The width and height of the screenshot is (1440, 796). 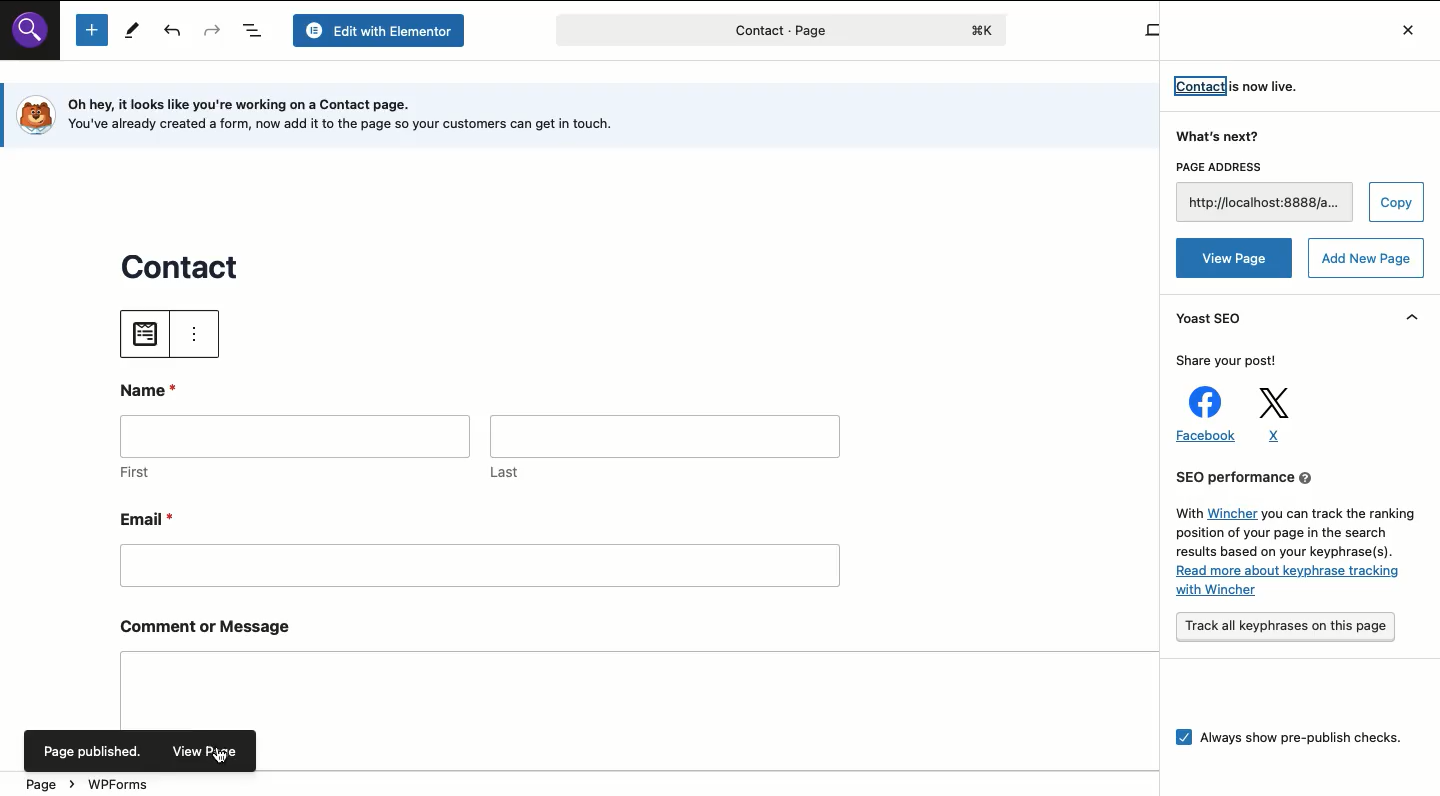 I want to click on Hide menu, so click(x=1413, y=316).